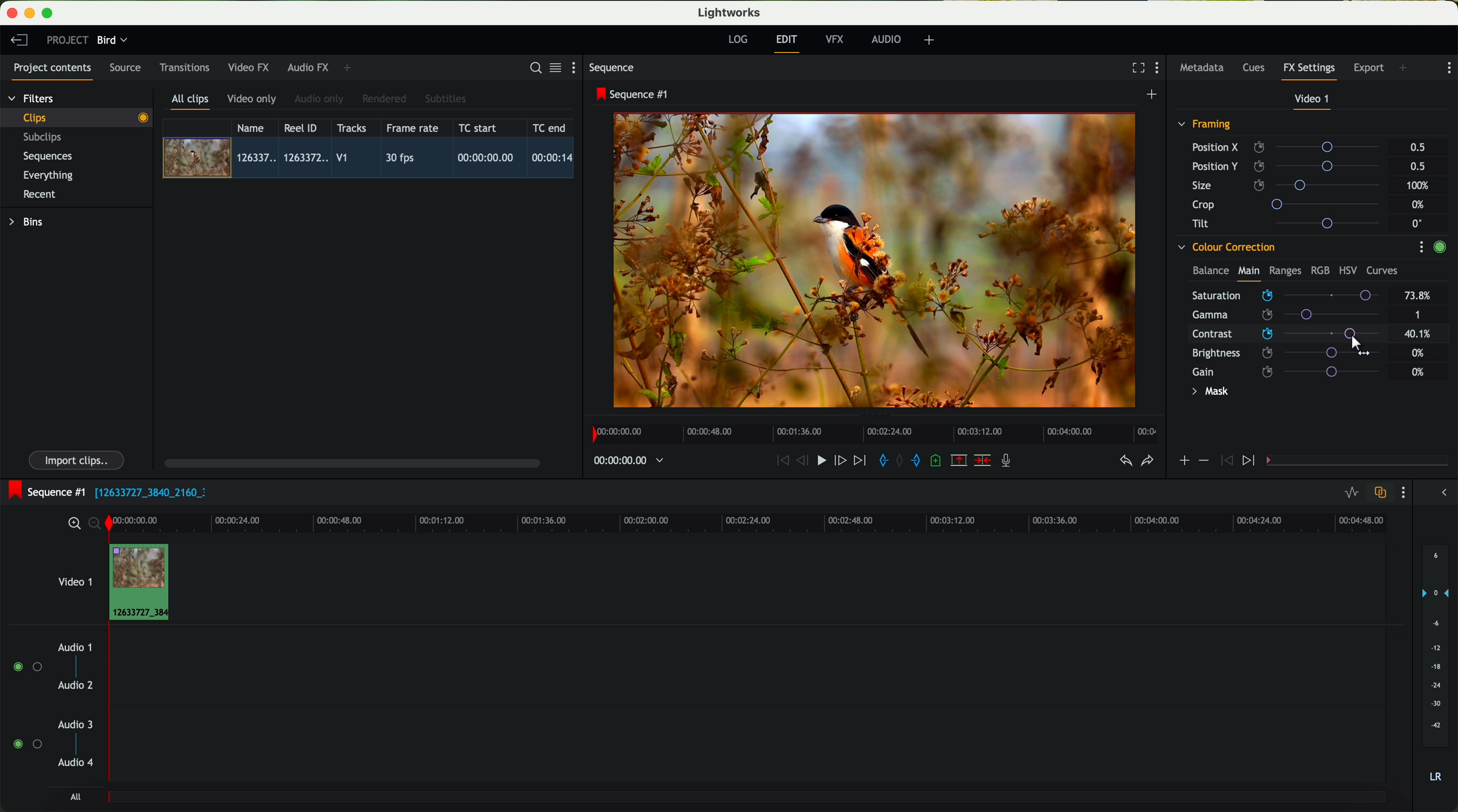 This screenshot has height=812, width=1458. What do you see at coordinates (1289, 186) in the screenshot?
I see `size` at bounding box center [1289, 186].